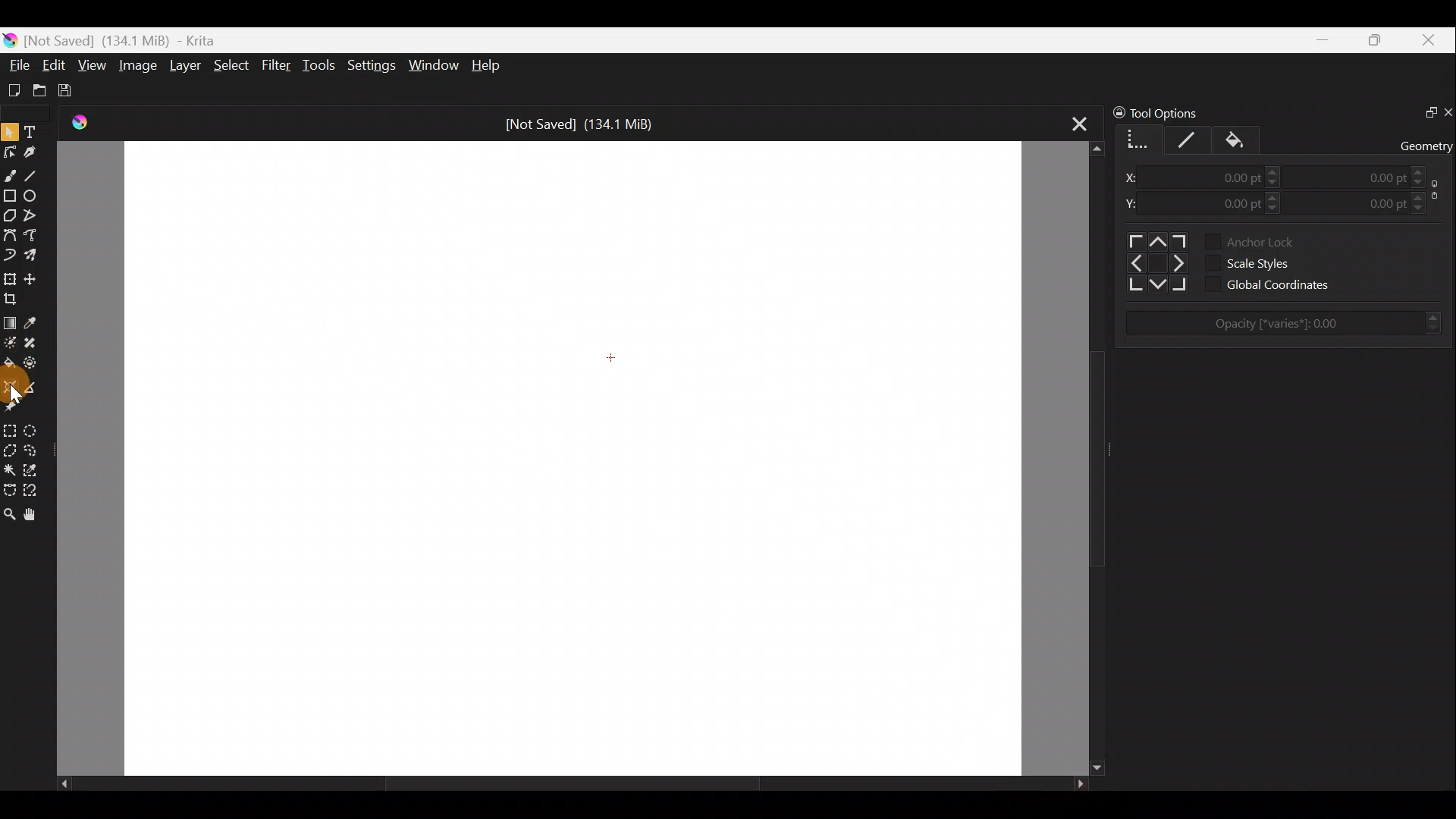  I want to click on 0.00pt, so click(1376, 201).